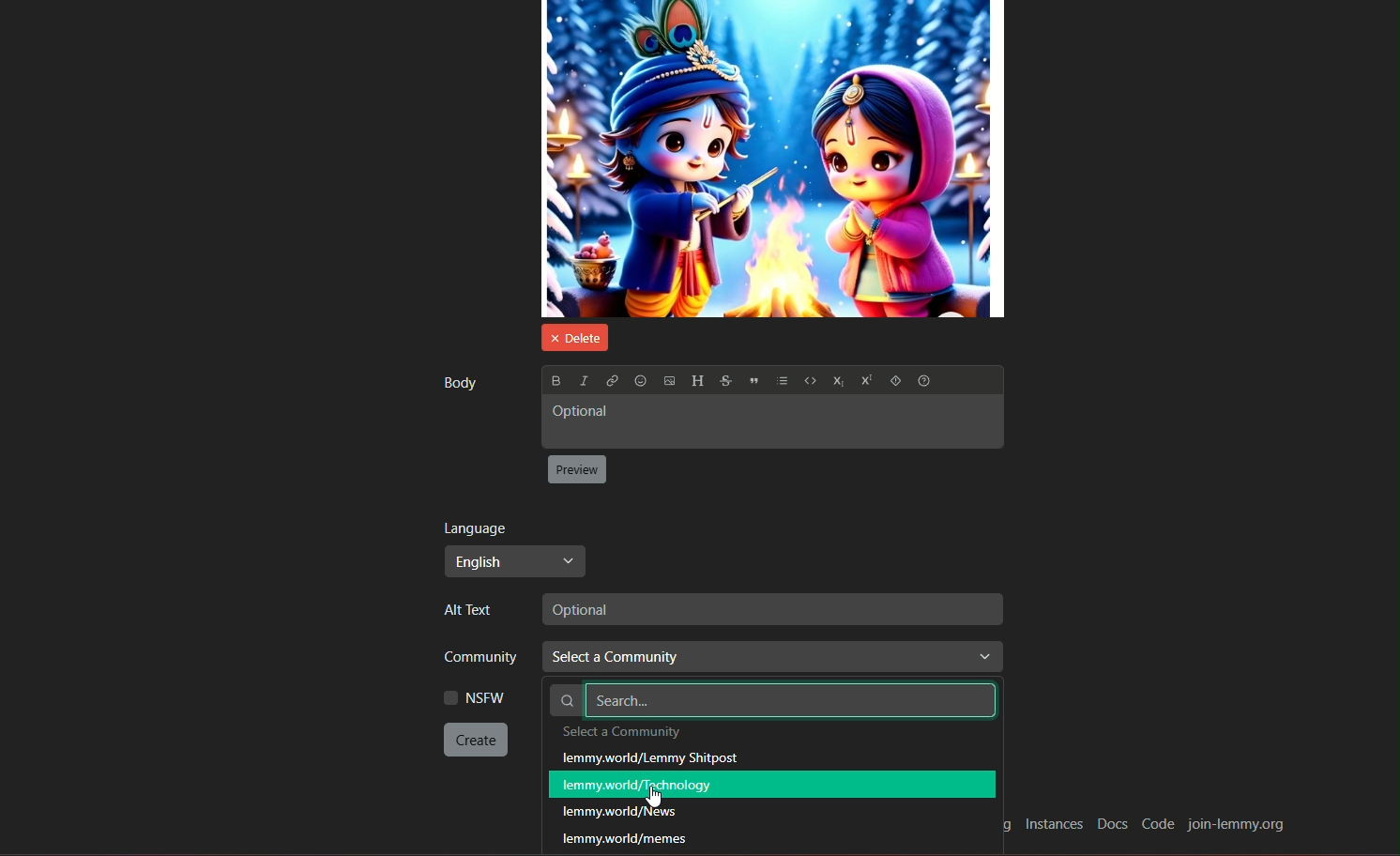 The height and width of the screenshot is (856, 1400). Describe the element at coordinates (477, 740) in the screenshot. I see `button` at that location.